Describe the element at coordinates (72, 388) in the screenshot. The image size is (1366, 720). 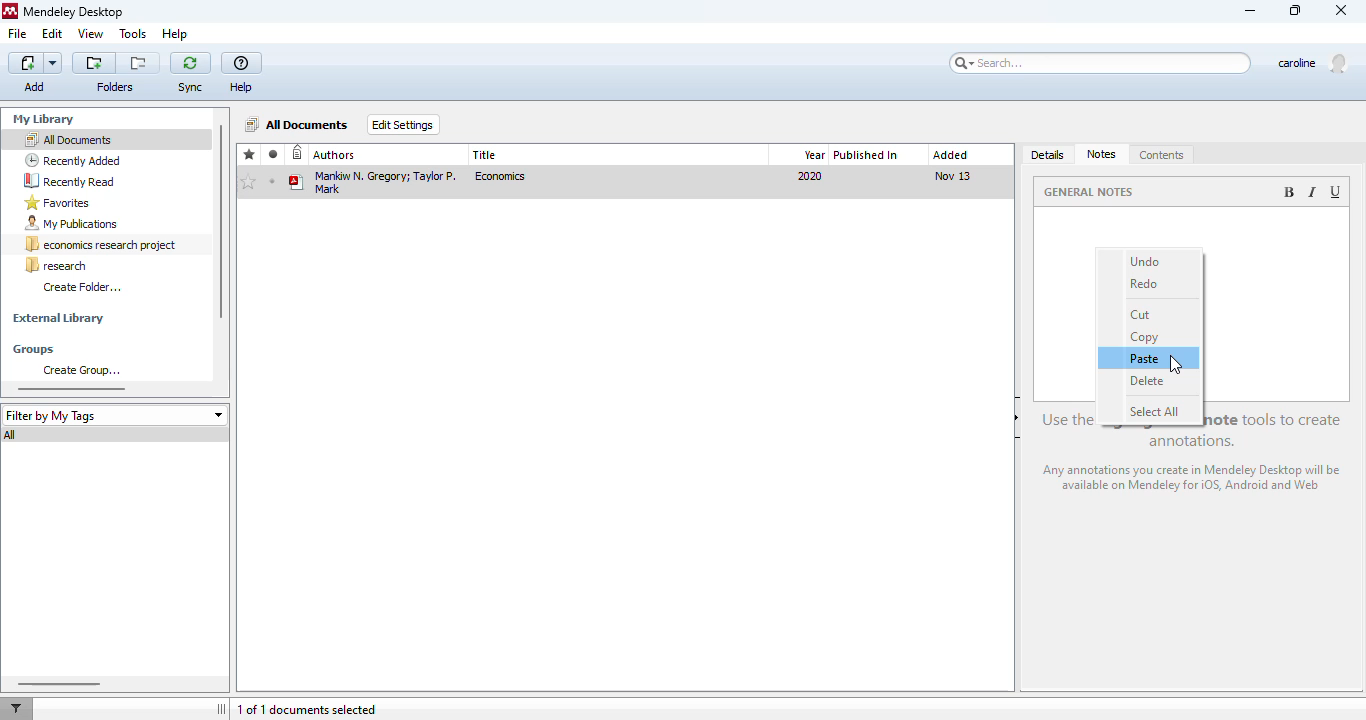
I see `horizontal scroll bar` at that location.